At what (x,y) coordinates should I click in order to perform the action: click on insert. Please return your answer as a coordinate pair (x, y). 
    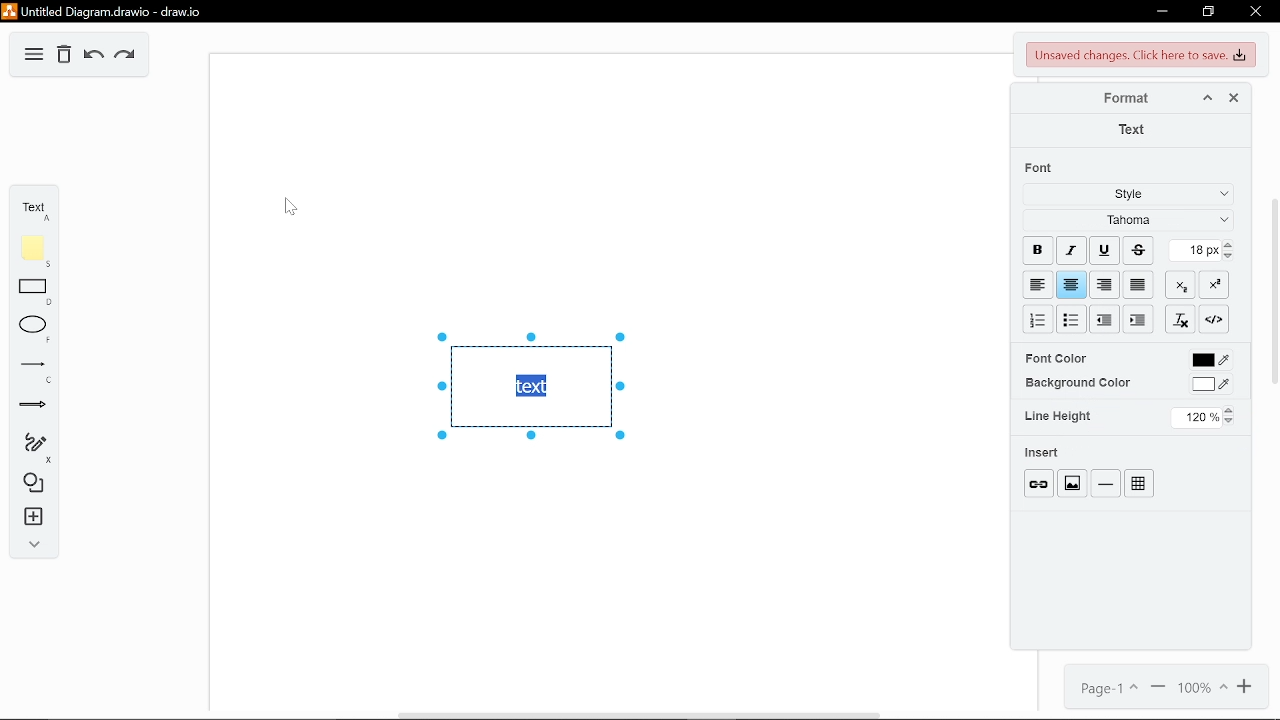
    Looking at the image, I should click on (29, 518).